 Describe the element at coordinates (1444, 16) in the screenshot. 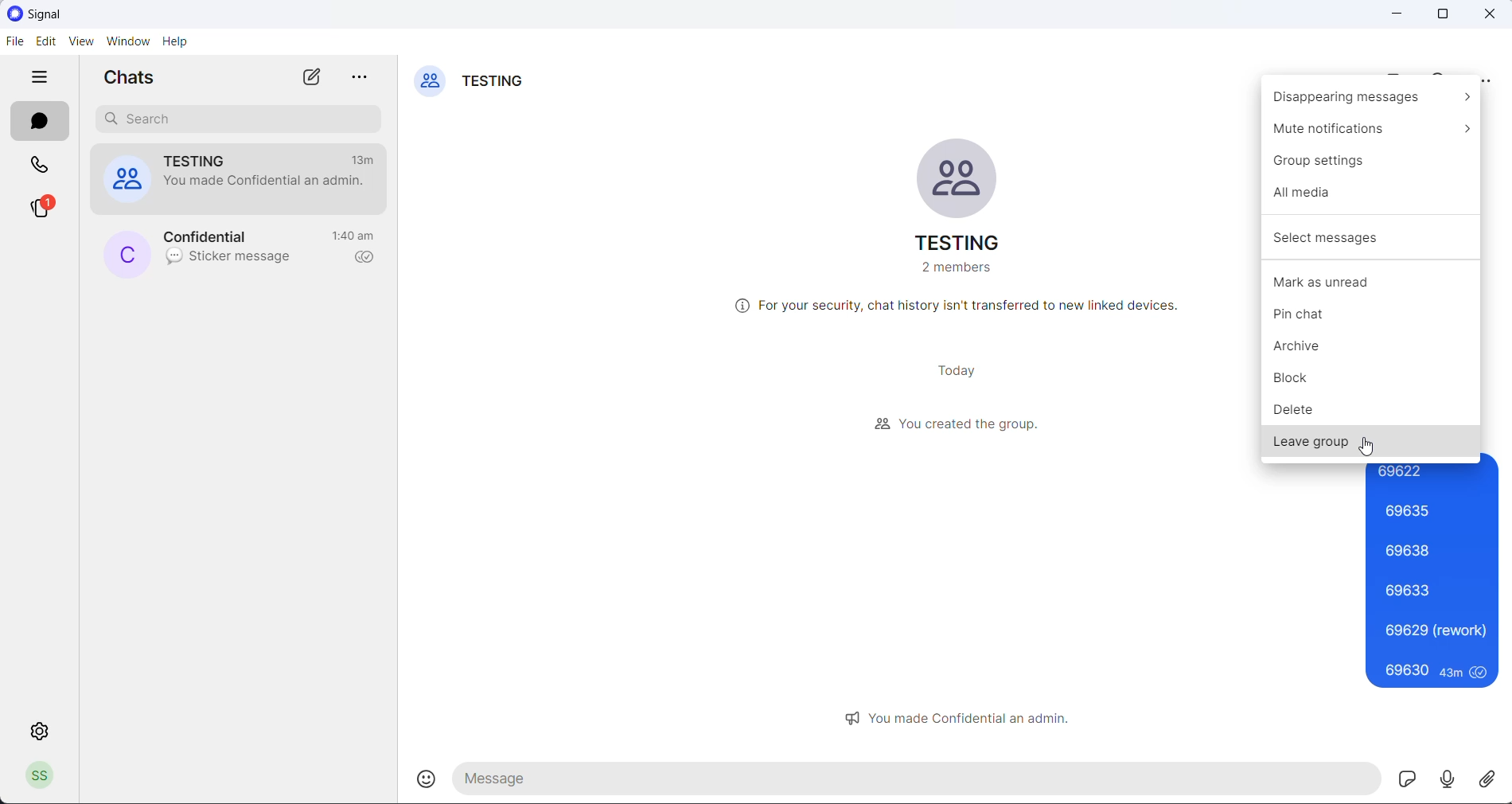

I see `maximize` at that location.